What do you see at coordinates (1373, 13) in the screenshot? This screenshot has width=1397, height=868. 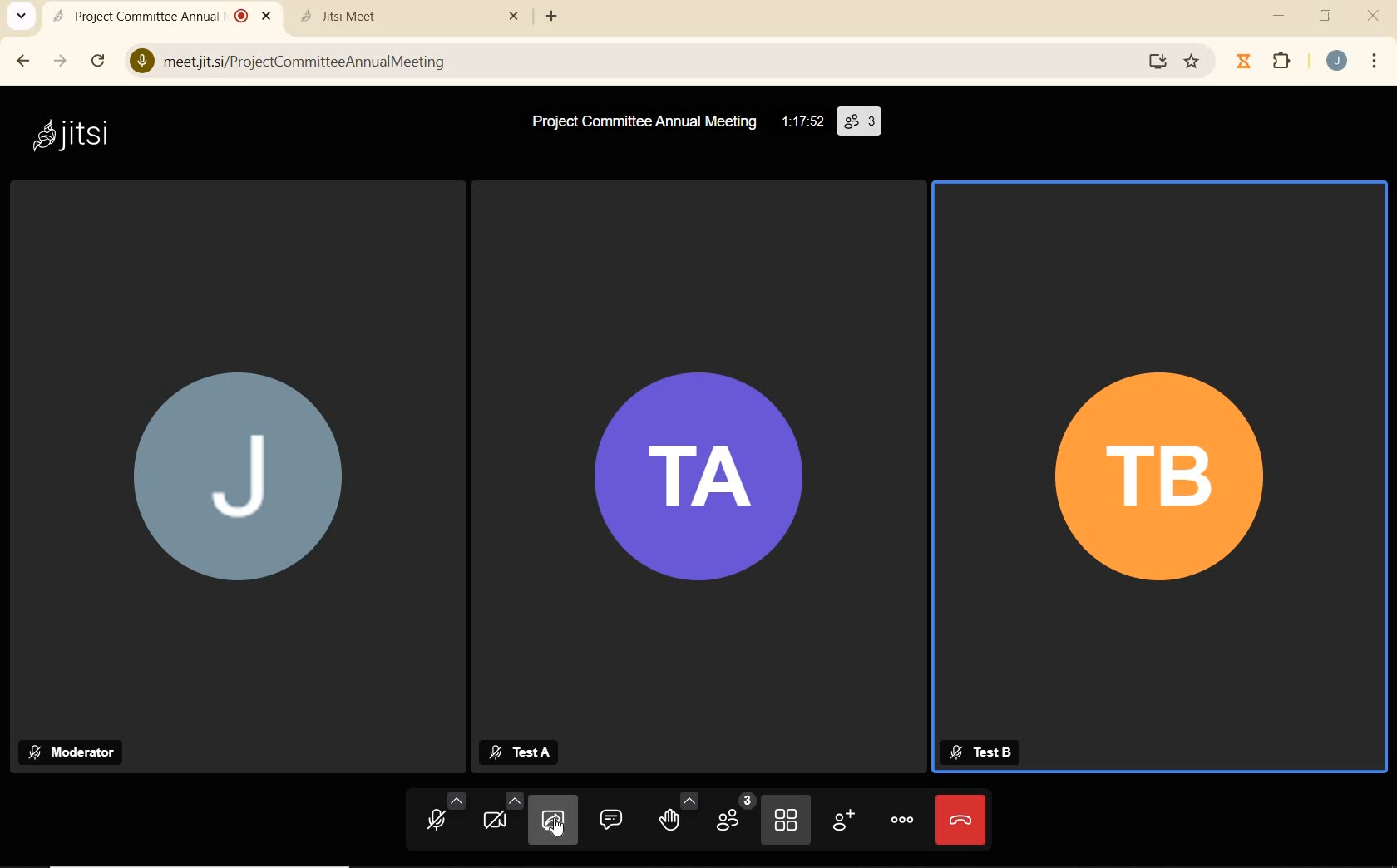 I see `CLOSE` at bounding box center [1373, 13].